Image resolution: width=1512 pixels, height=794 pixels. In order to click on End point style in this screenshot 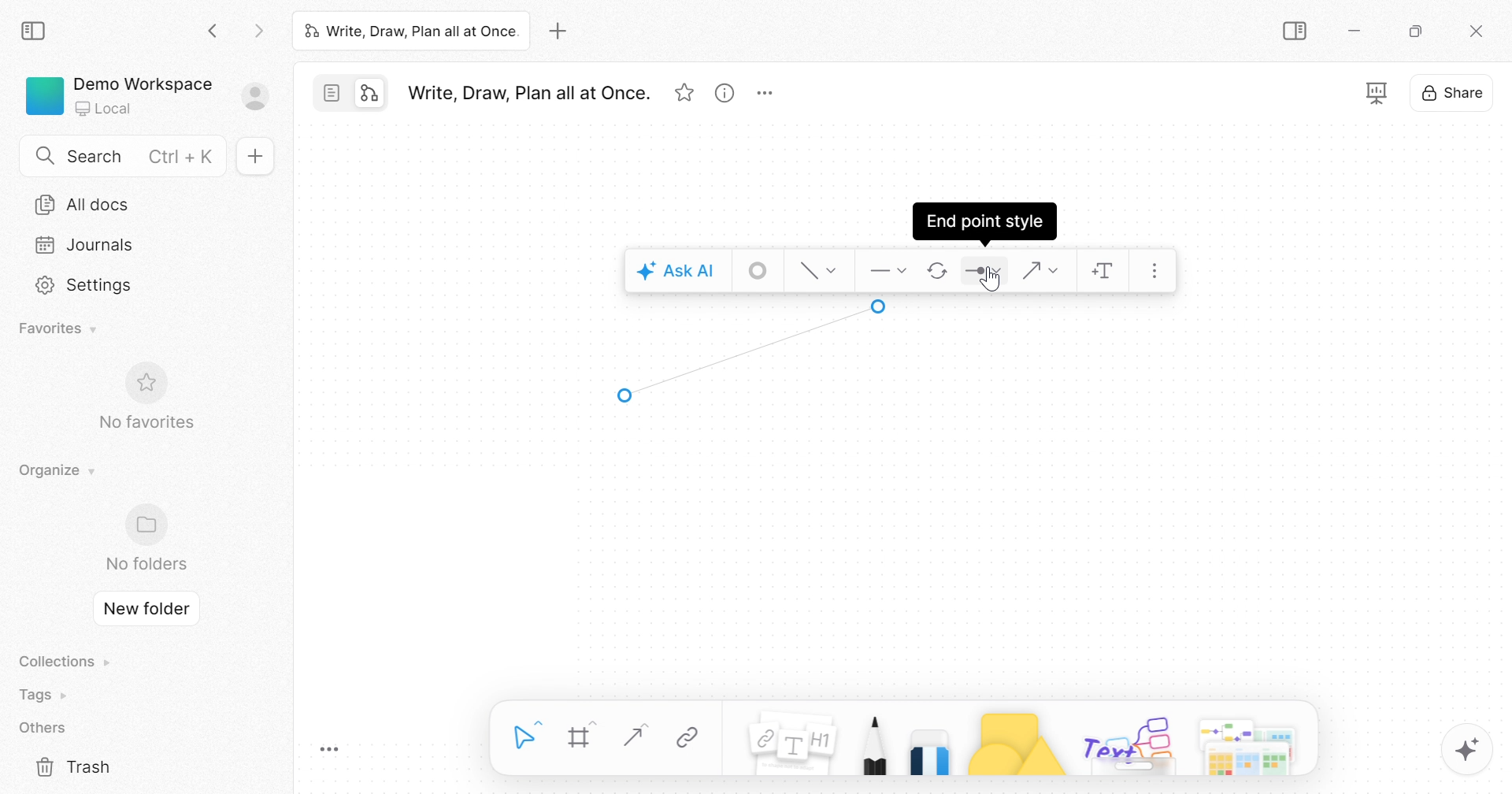, I will do `click(984, 274)`.